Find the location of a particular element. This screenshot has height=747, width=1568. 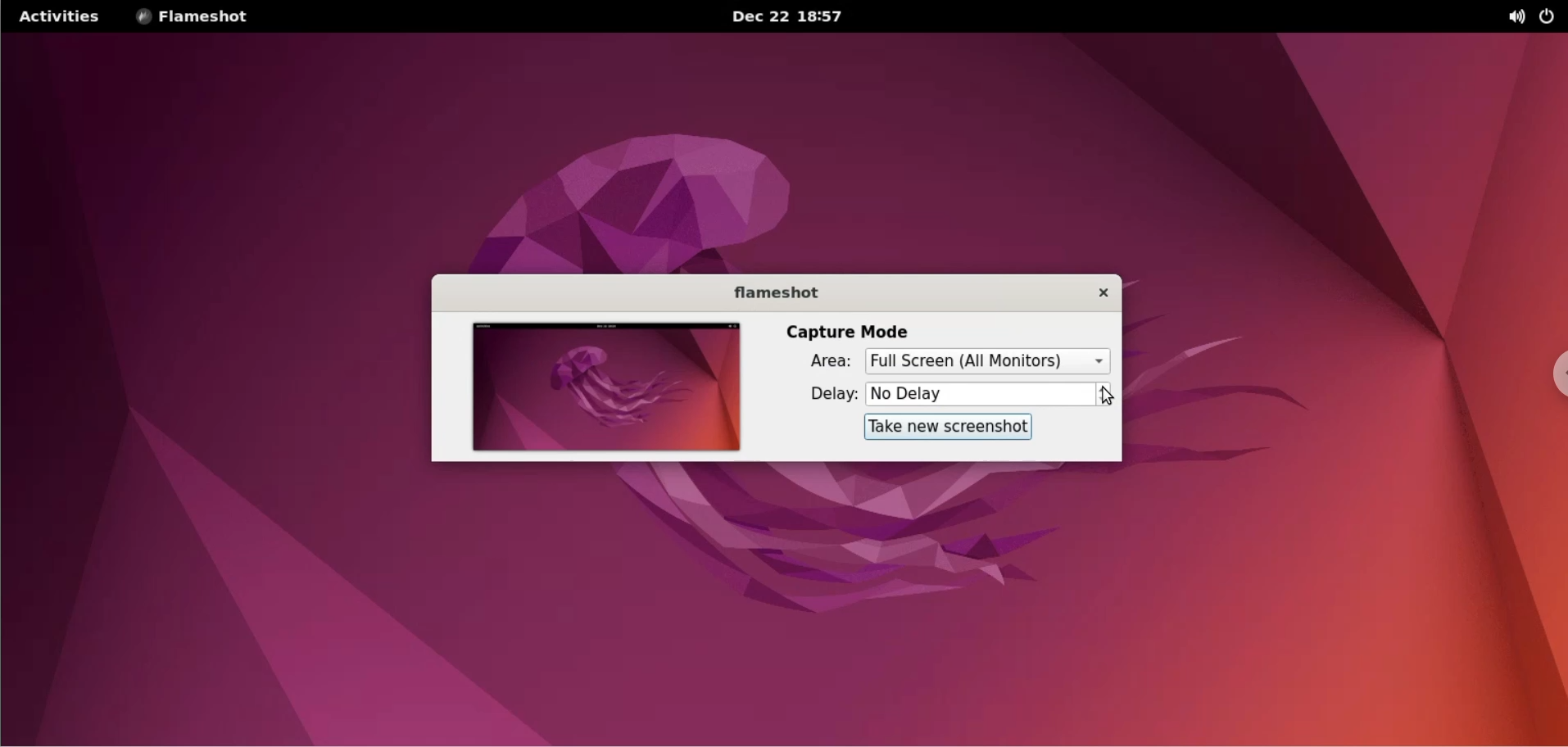

capture mode  is located at coordinates (850, 330).